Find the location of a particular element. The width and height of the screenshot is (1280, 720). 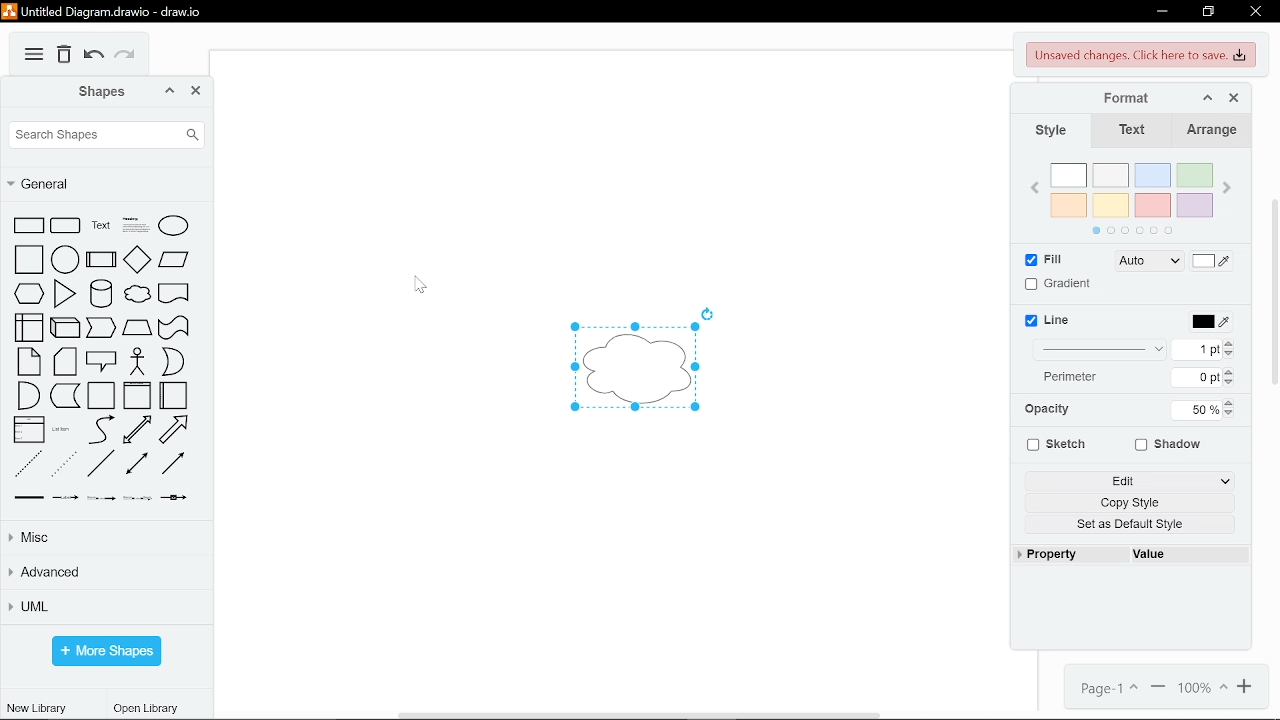

blue is located at coordinates (1154, 176).